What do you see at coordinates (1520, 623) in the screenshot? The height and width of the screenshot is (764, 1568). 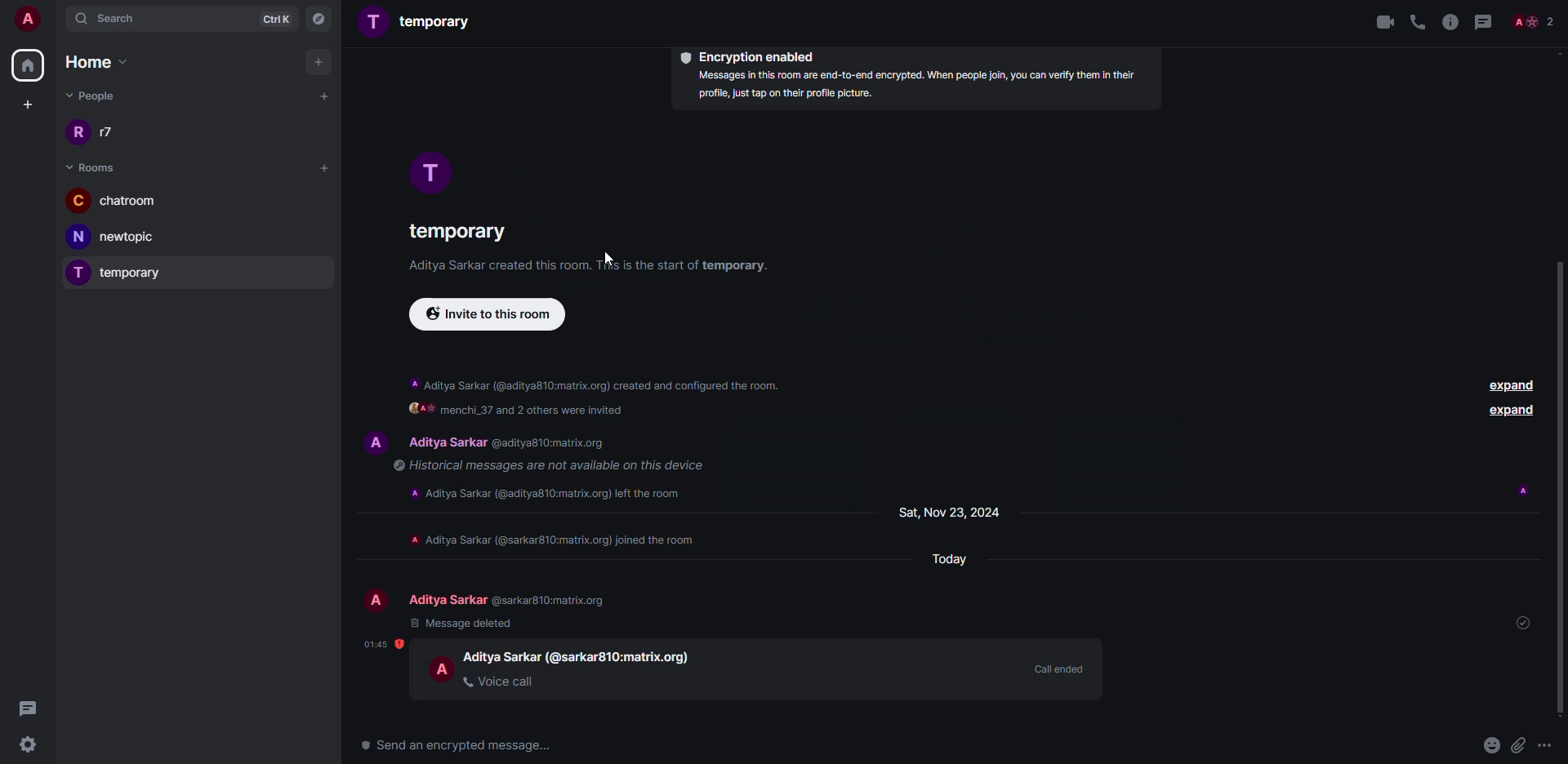 I see `sent` at bounding box center [1520, 623].